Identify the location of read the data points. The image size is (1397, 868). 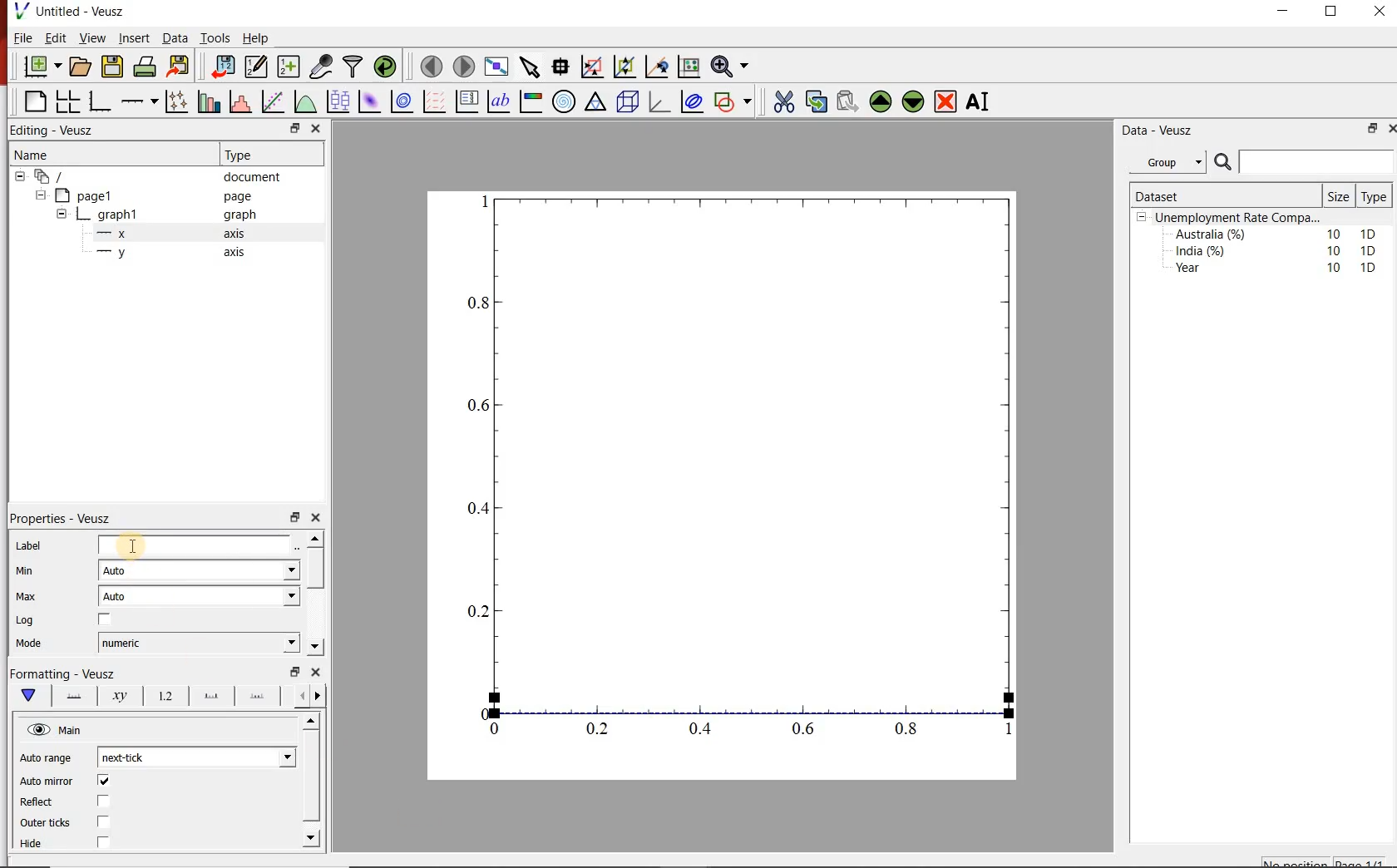
(562, 66).